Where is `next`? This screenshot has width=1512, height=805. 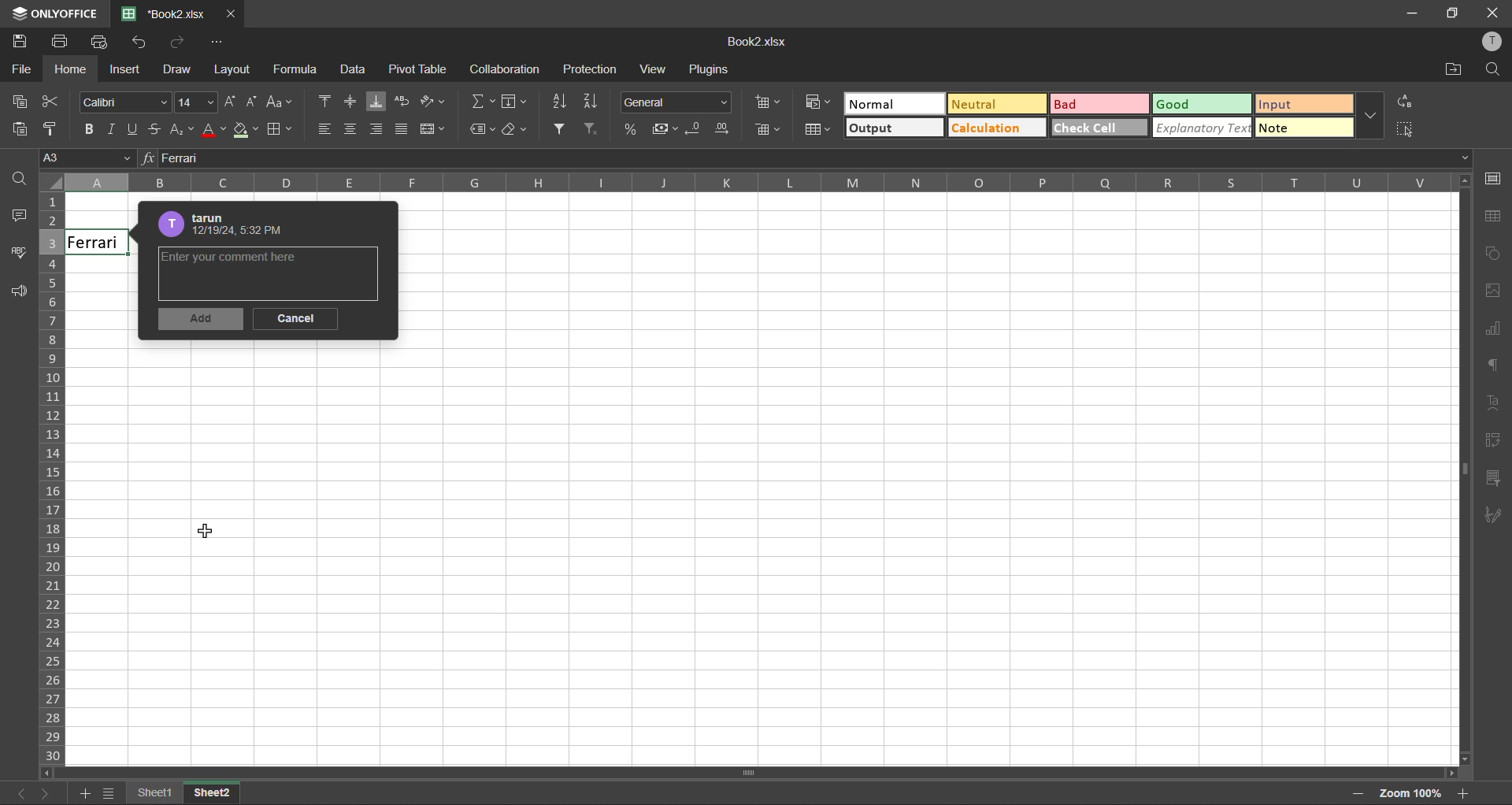
next is located at coordinates (48, 793).